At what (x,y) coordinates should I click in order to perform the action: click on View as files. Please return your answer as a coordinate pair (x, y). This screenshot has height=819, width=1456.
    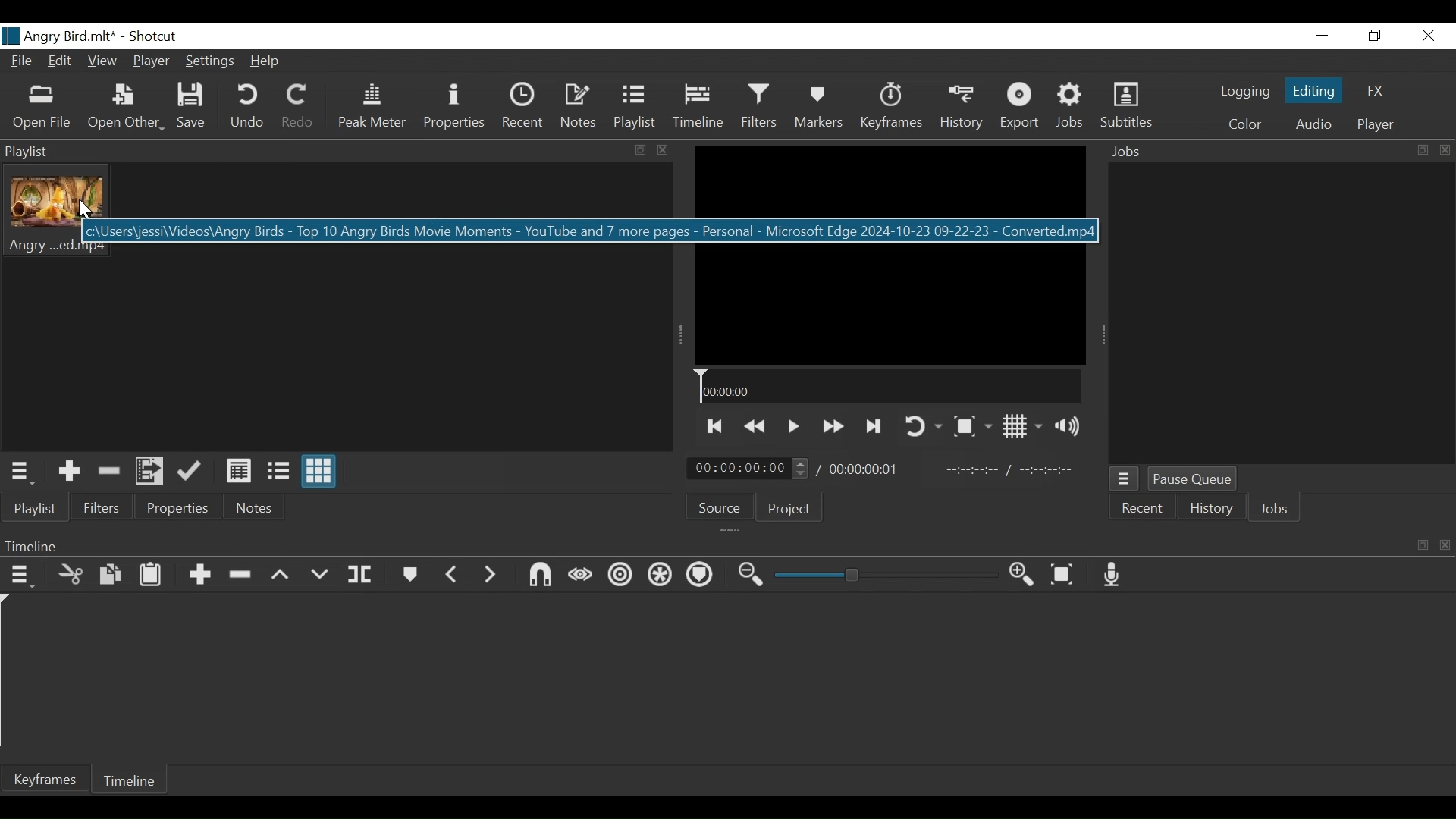
    Looking at the image, I should click on (277, 470).